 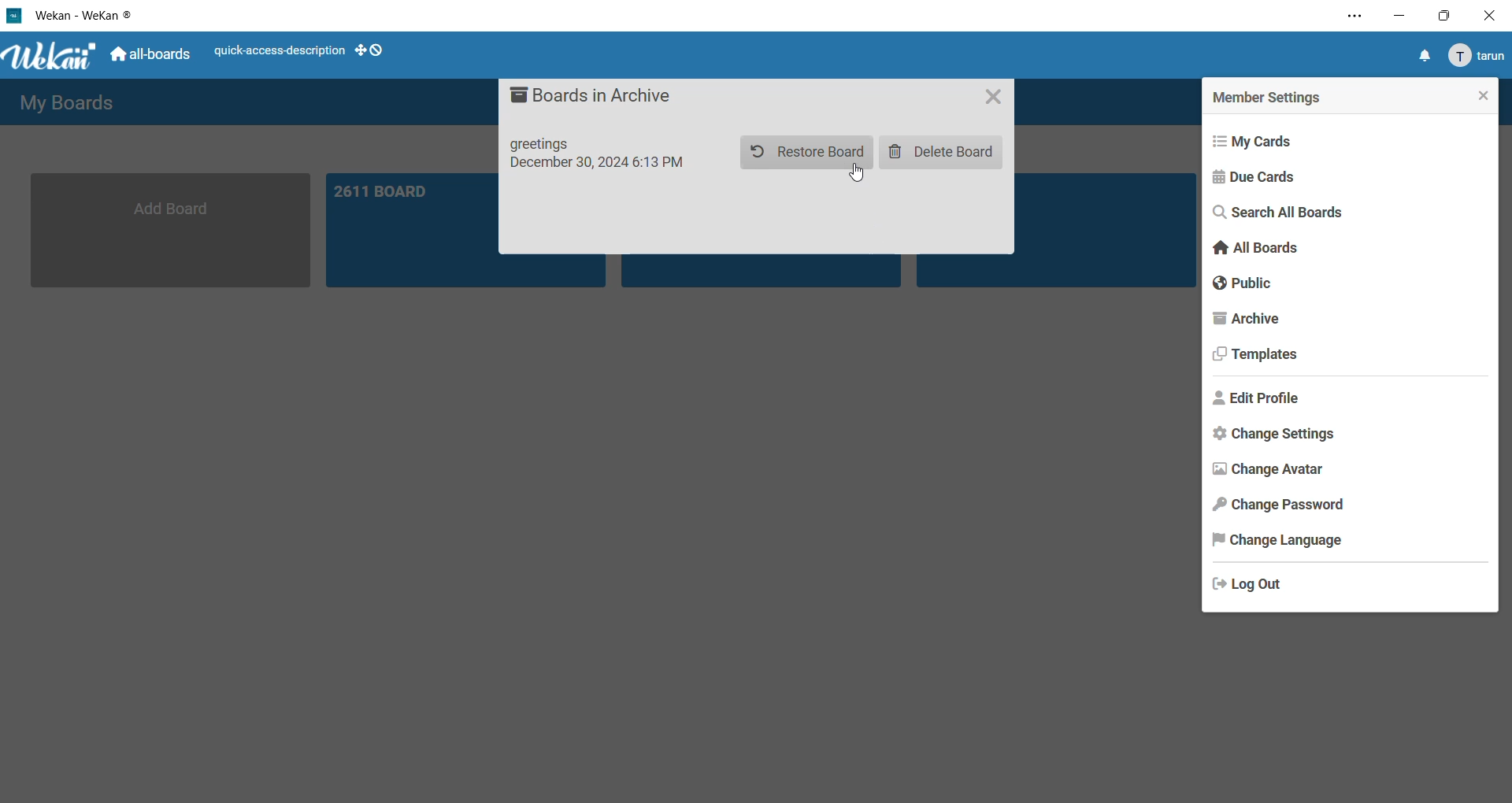 I want to click on delete board, so click(x=945, y=153).